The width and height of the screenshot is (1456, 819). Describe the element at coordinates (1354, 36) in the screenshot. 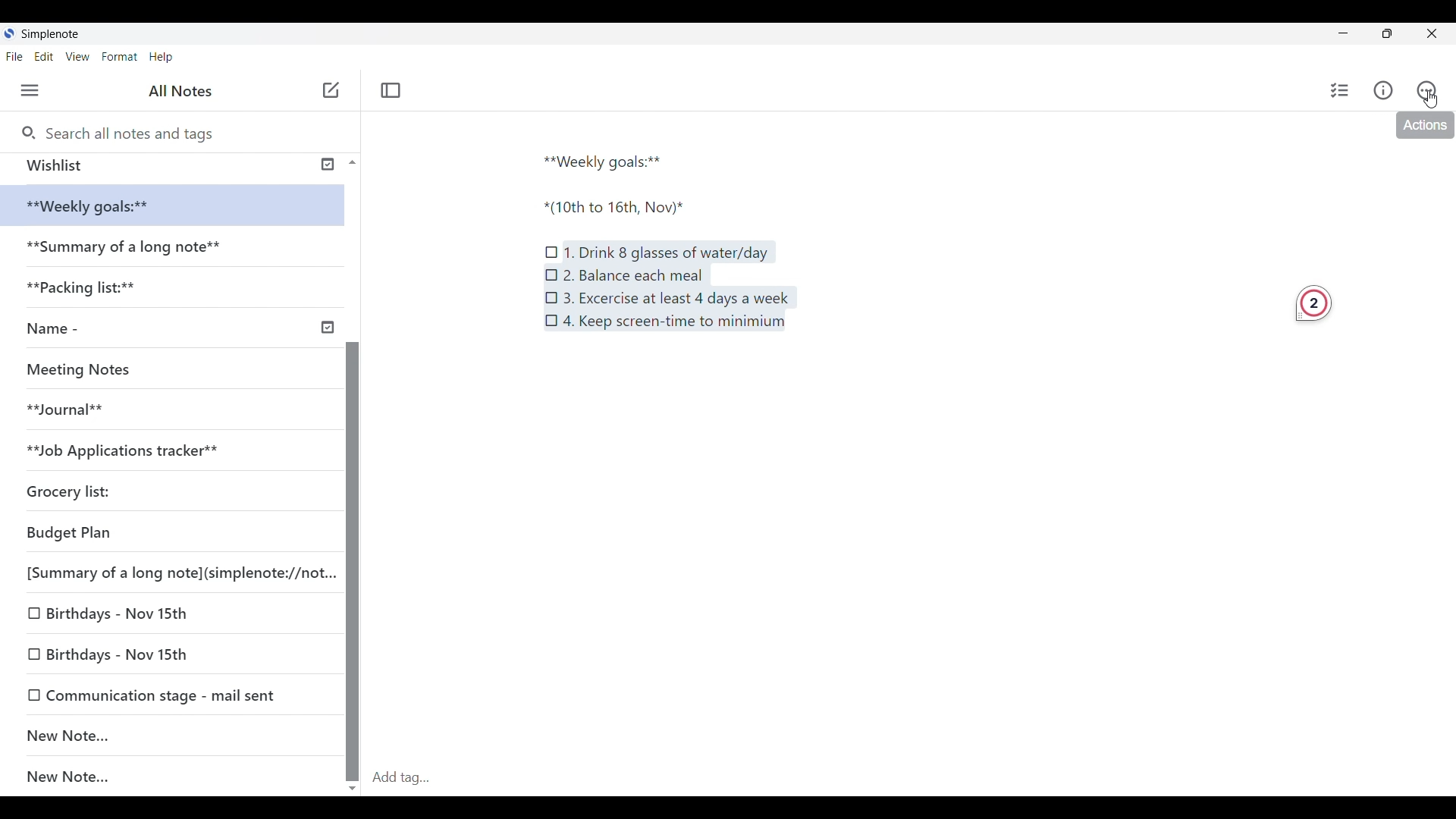

I see `minimize` at that location.